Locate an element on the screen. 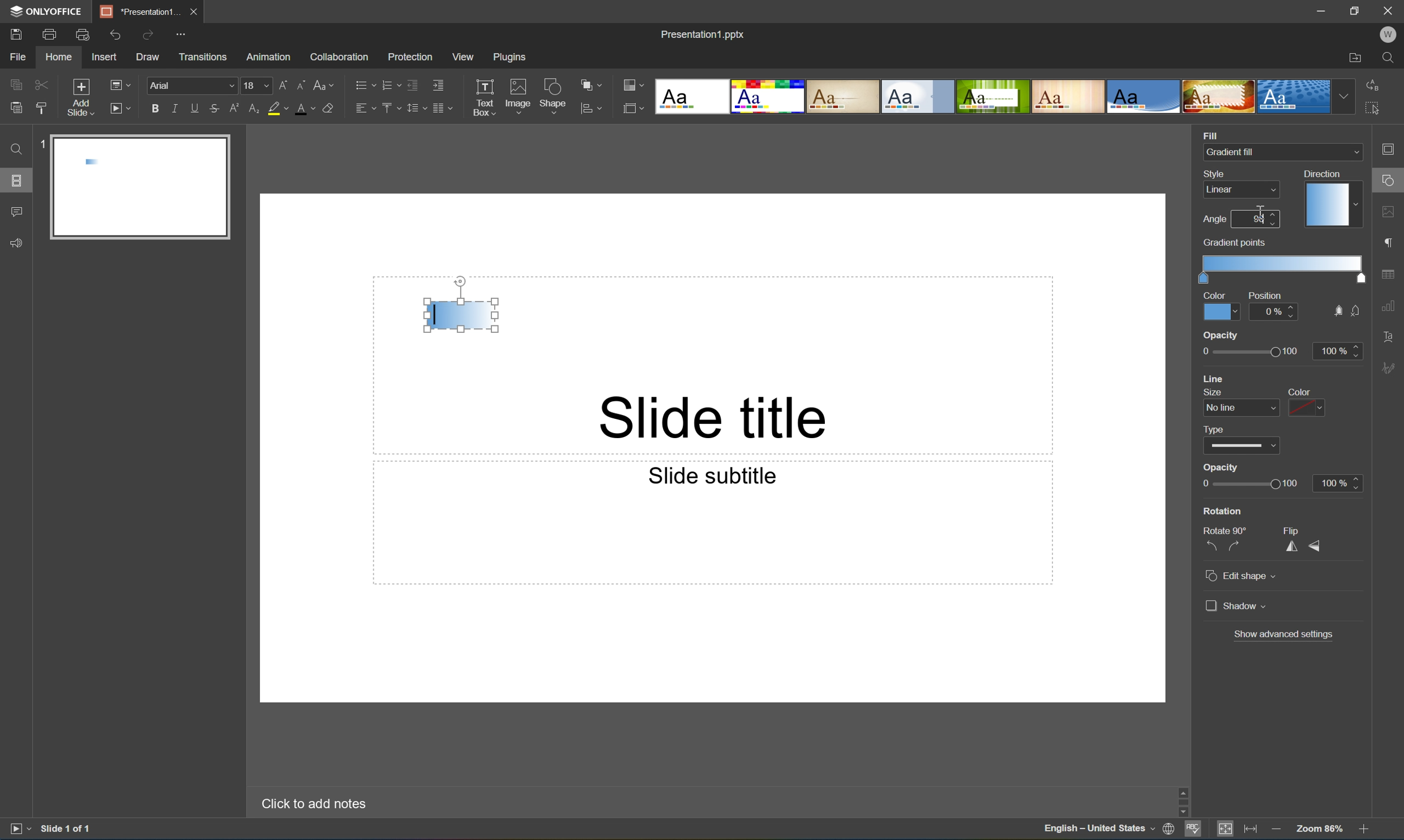 This screenshot has width=1404, height=840. Angle is located at coordinates (1214, 219).